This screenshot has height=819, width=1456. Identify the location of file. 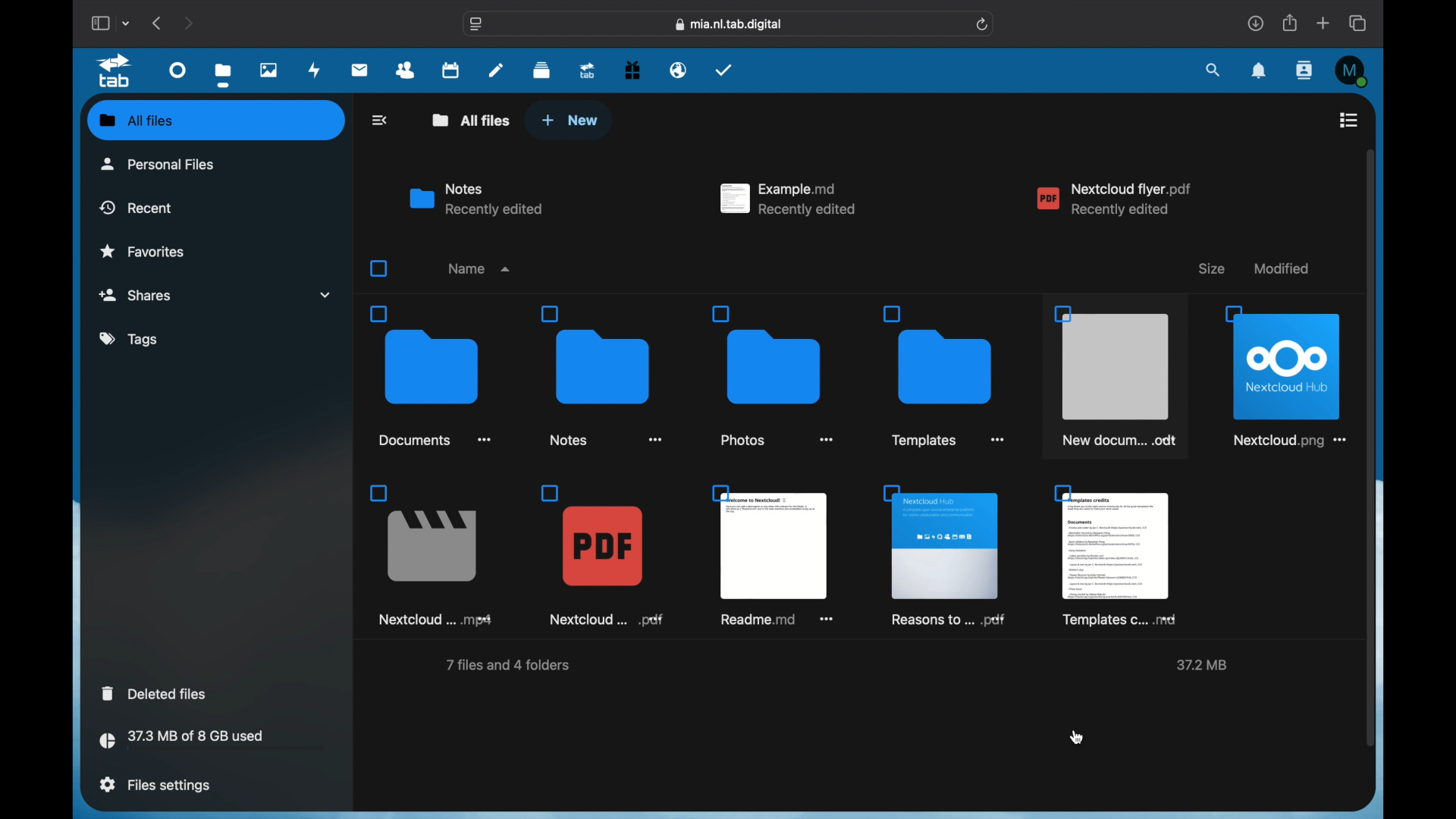
(1116, 376).